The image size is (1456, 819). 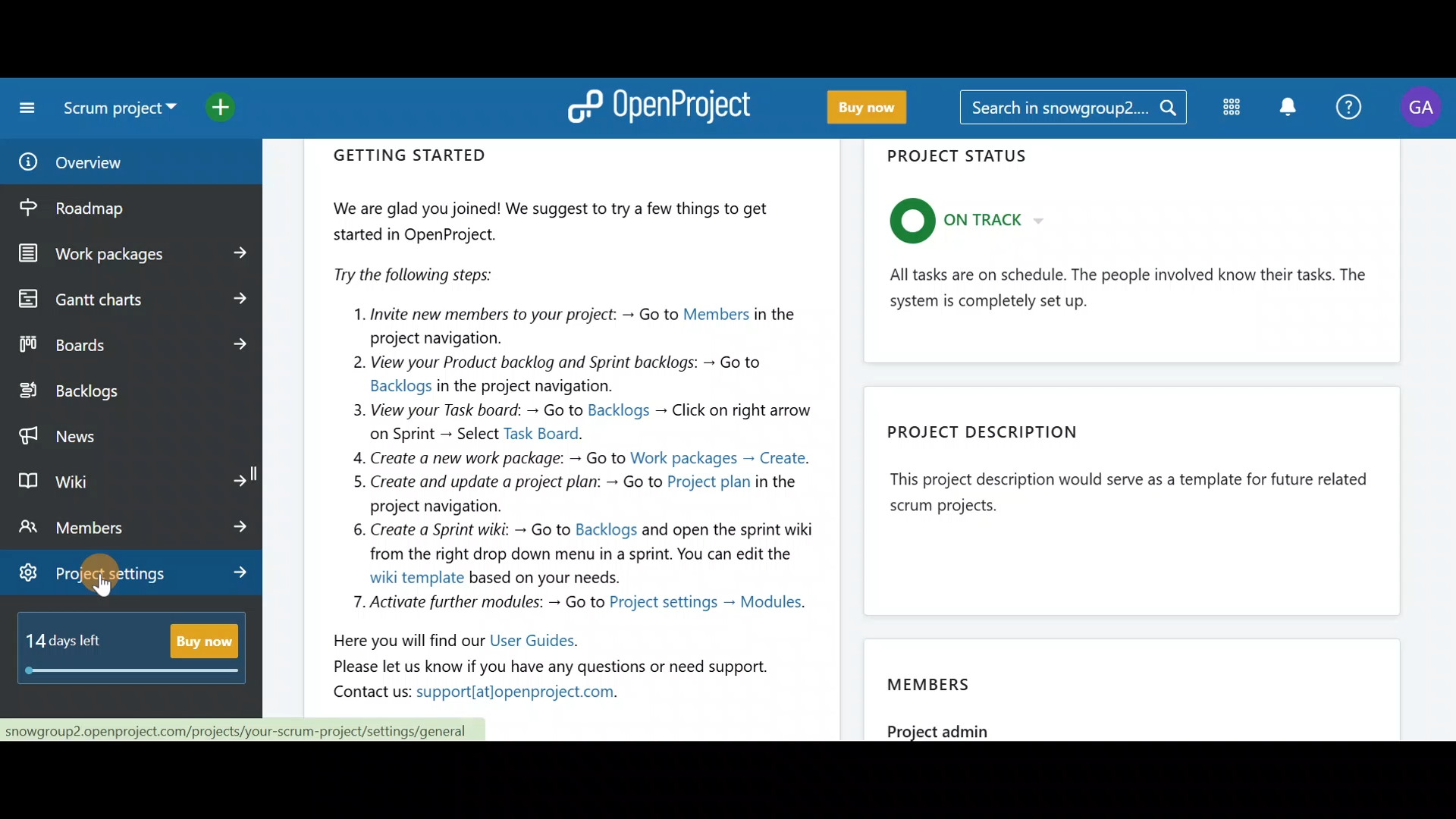 I want to click on Members, so click(x=135, y=526).